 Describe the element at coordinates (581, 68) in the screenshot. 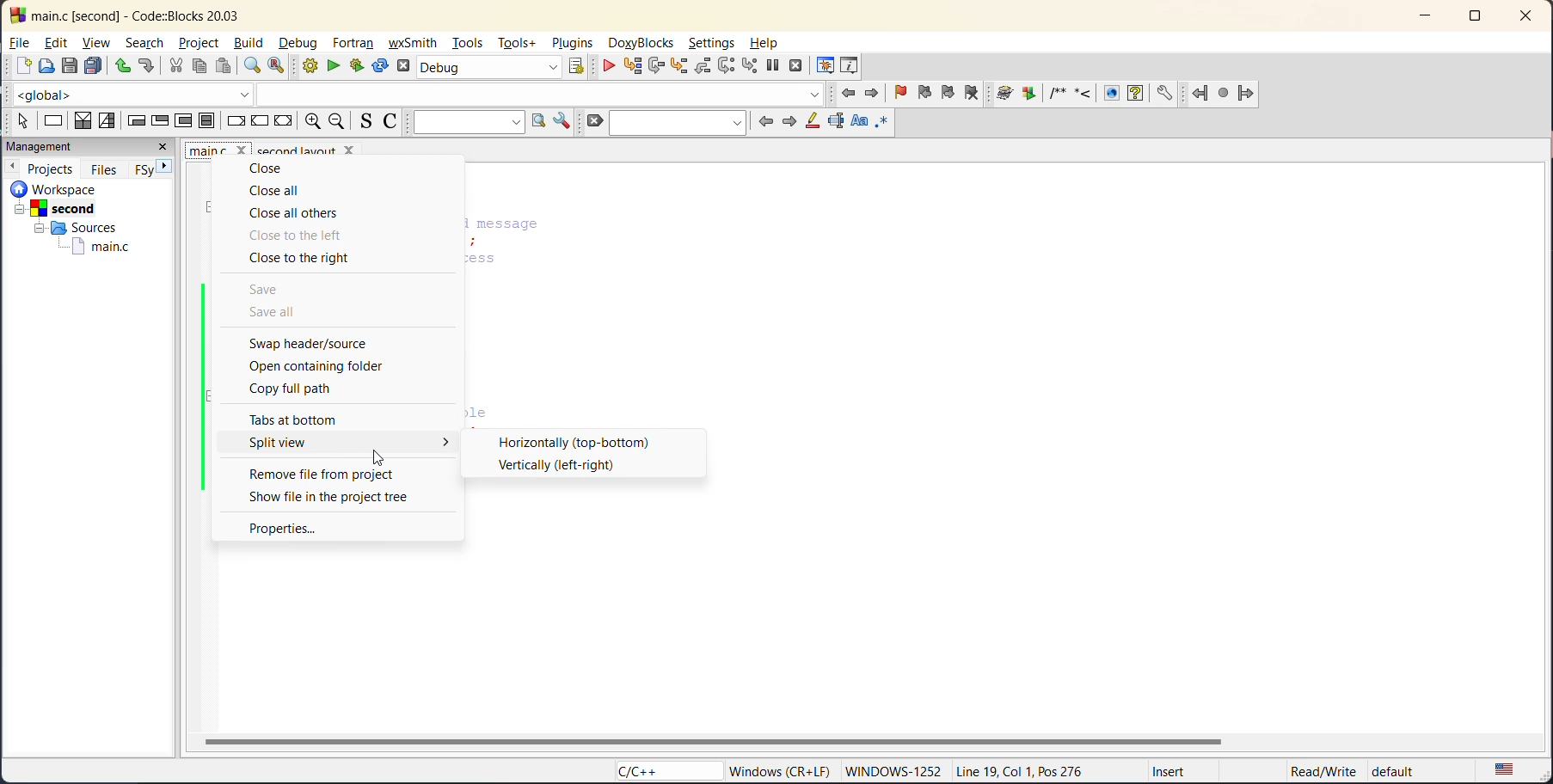

I see `show select target dialog` at that location.